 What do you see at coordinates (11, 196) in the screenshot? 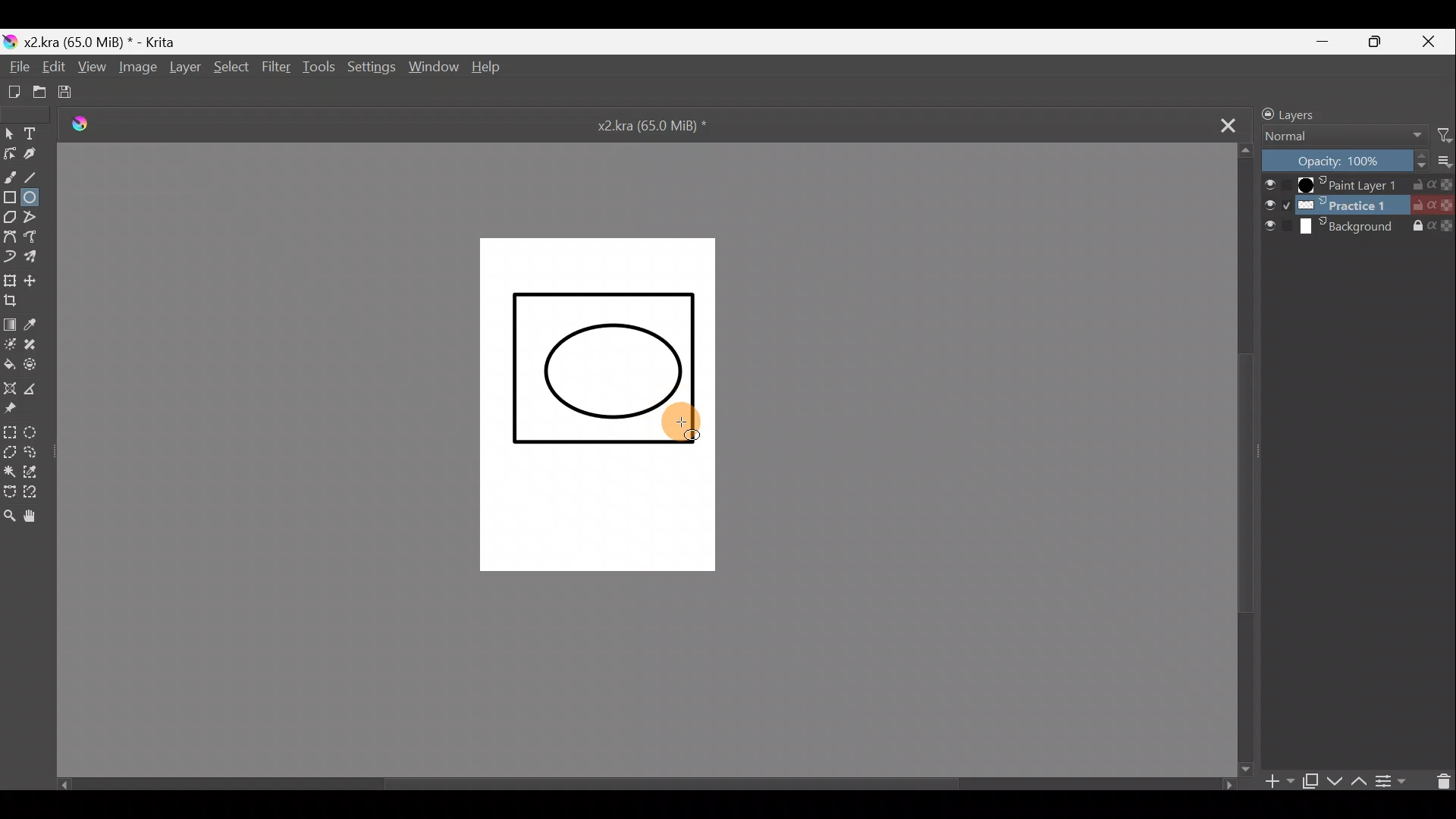
I see `Rectangle tool` at bounding box center [11, 196].